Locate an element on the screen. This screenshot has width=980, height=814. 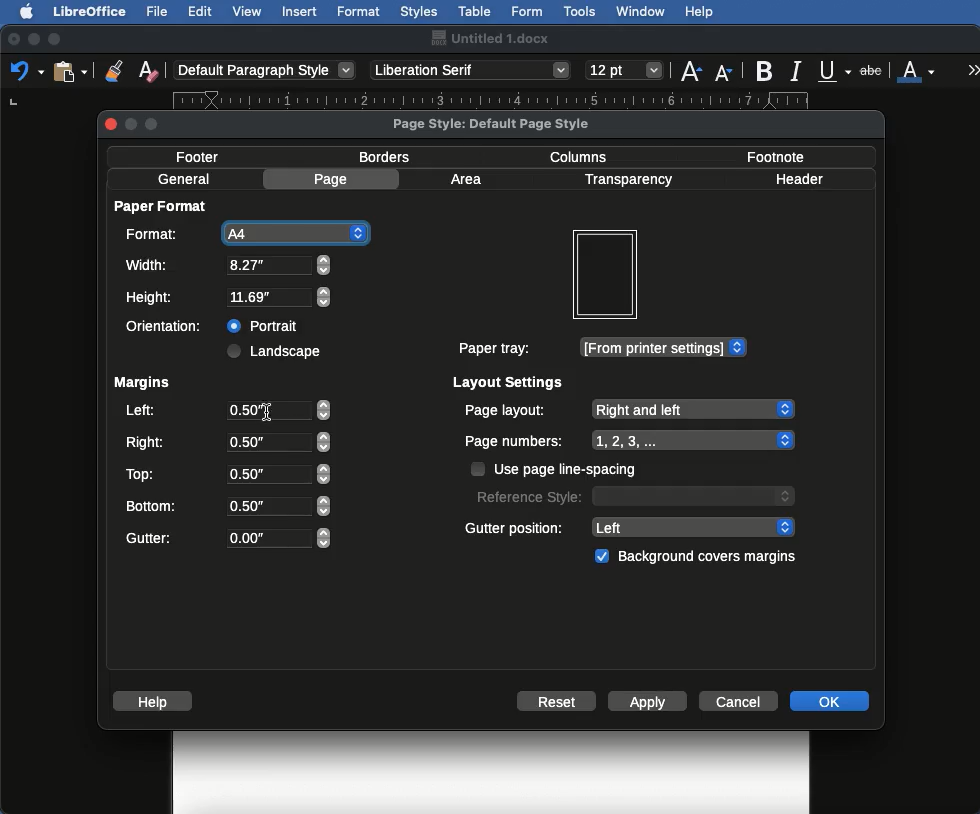
Strikethrough  is located at coordinates (873, 69).